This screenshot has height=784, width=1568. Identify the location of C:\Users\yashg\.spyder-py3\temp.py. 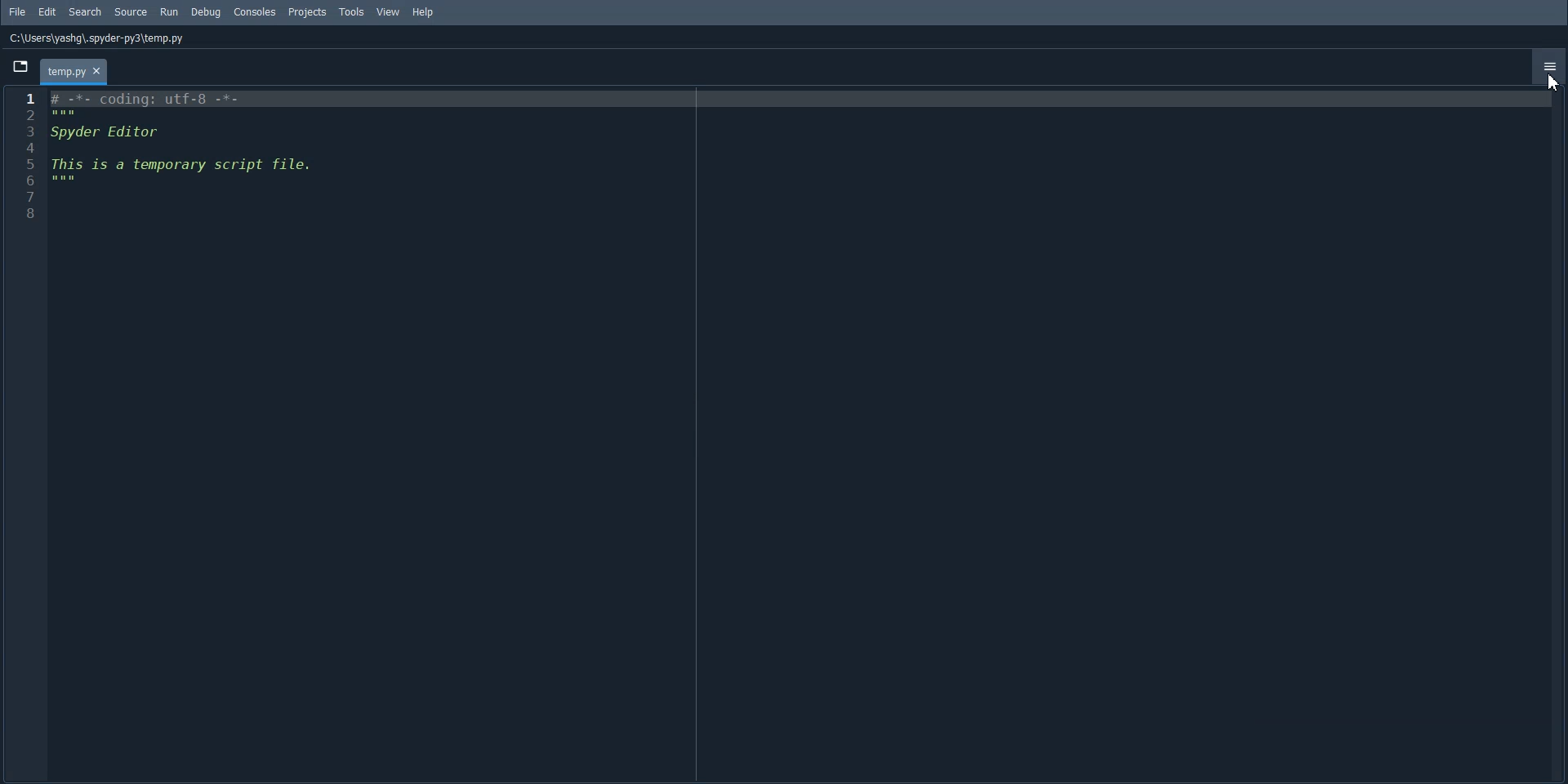
(97, 39).